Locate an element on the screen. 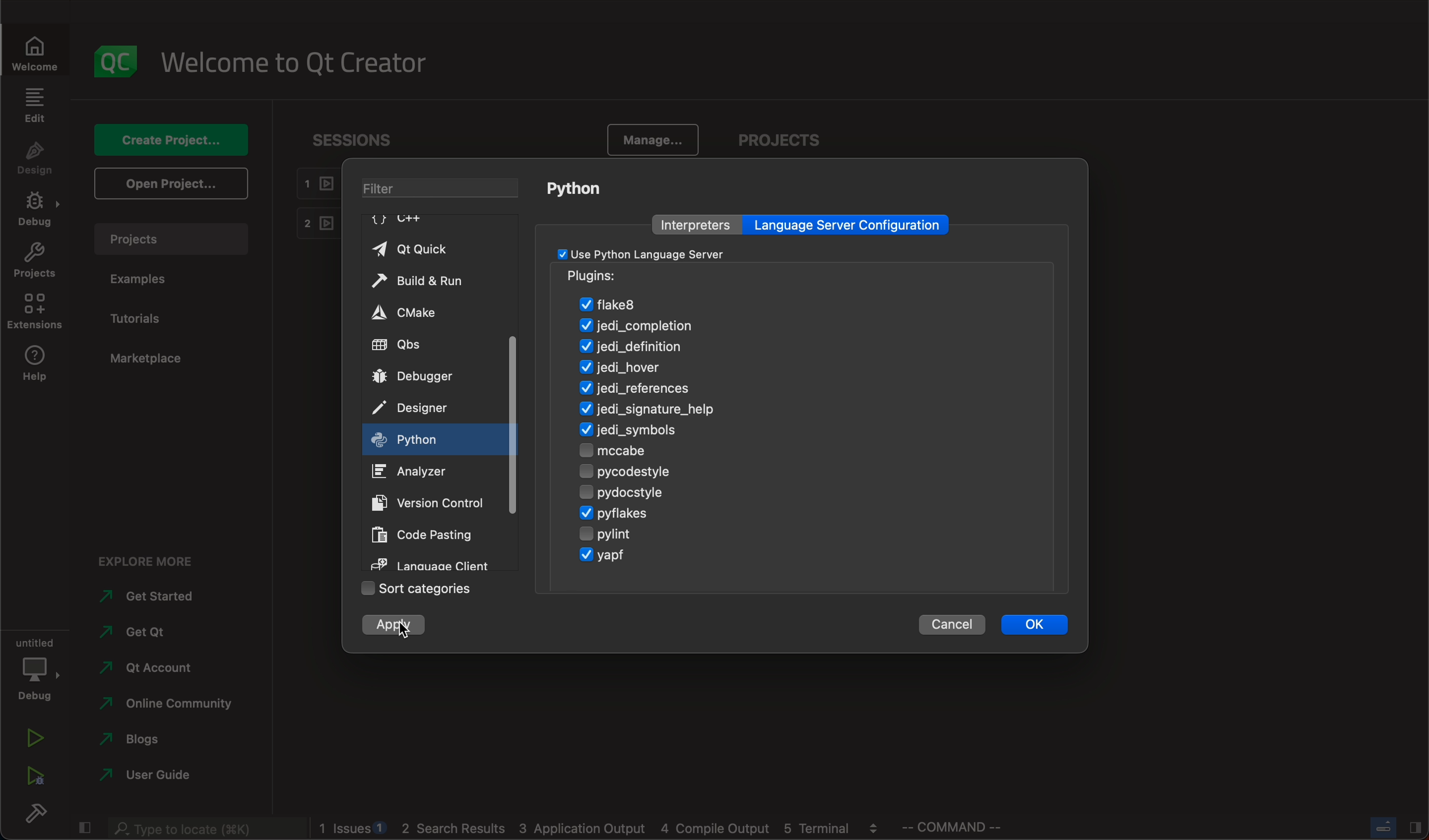 The image size is (1429, 840). command is located at coordinates (951, 826).